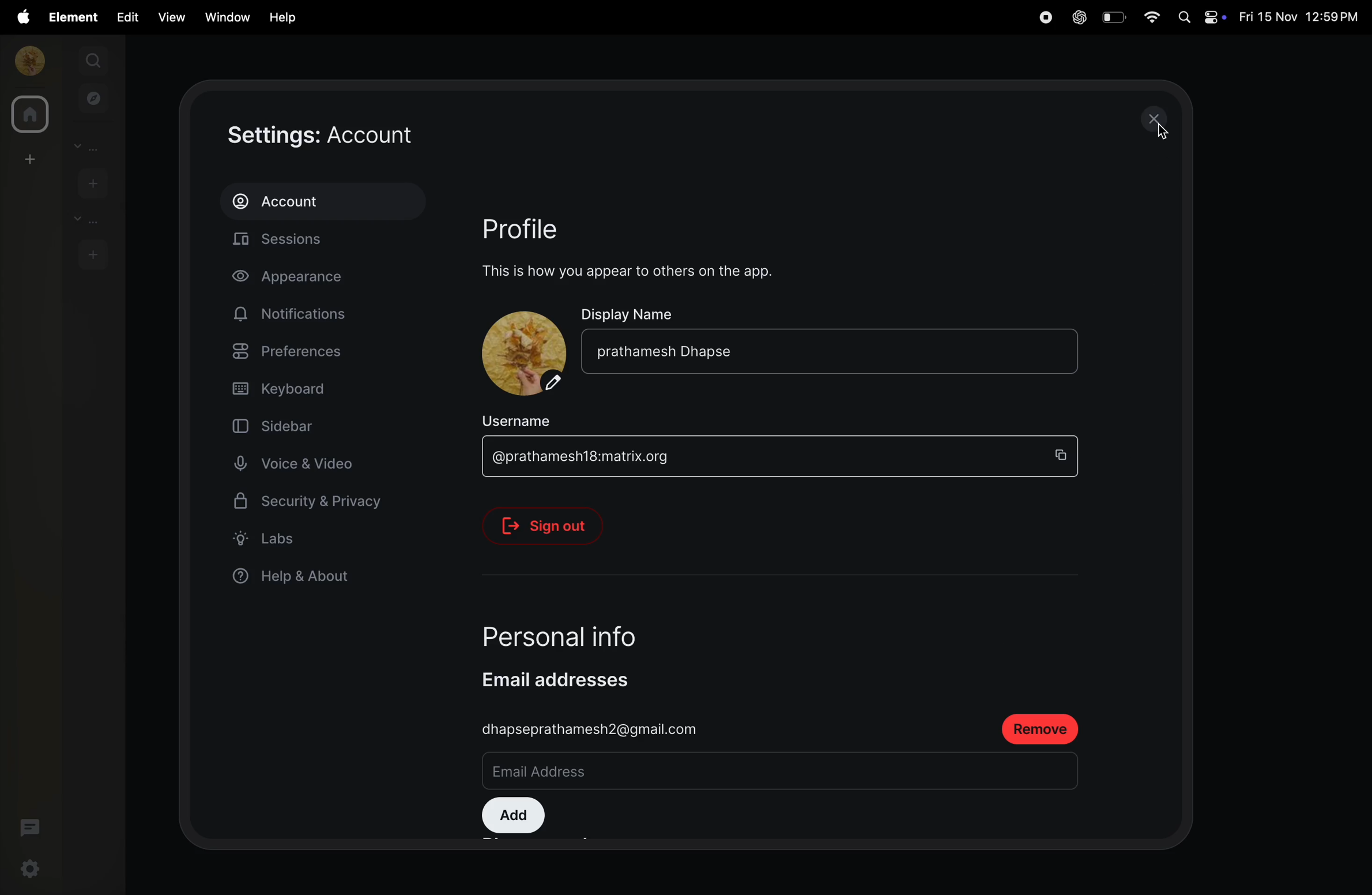 The height and width of the screenshot is (895, 1372). What do you see at coordinates (322, 201) in the screenshot?
I see `account` at bounding box center [322, 201].